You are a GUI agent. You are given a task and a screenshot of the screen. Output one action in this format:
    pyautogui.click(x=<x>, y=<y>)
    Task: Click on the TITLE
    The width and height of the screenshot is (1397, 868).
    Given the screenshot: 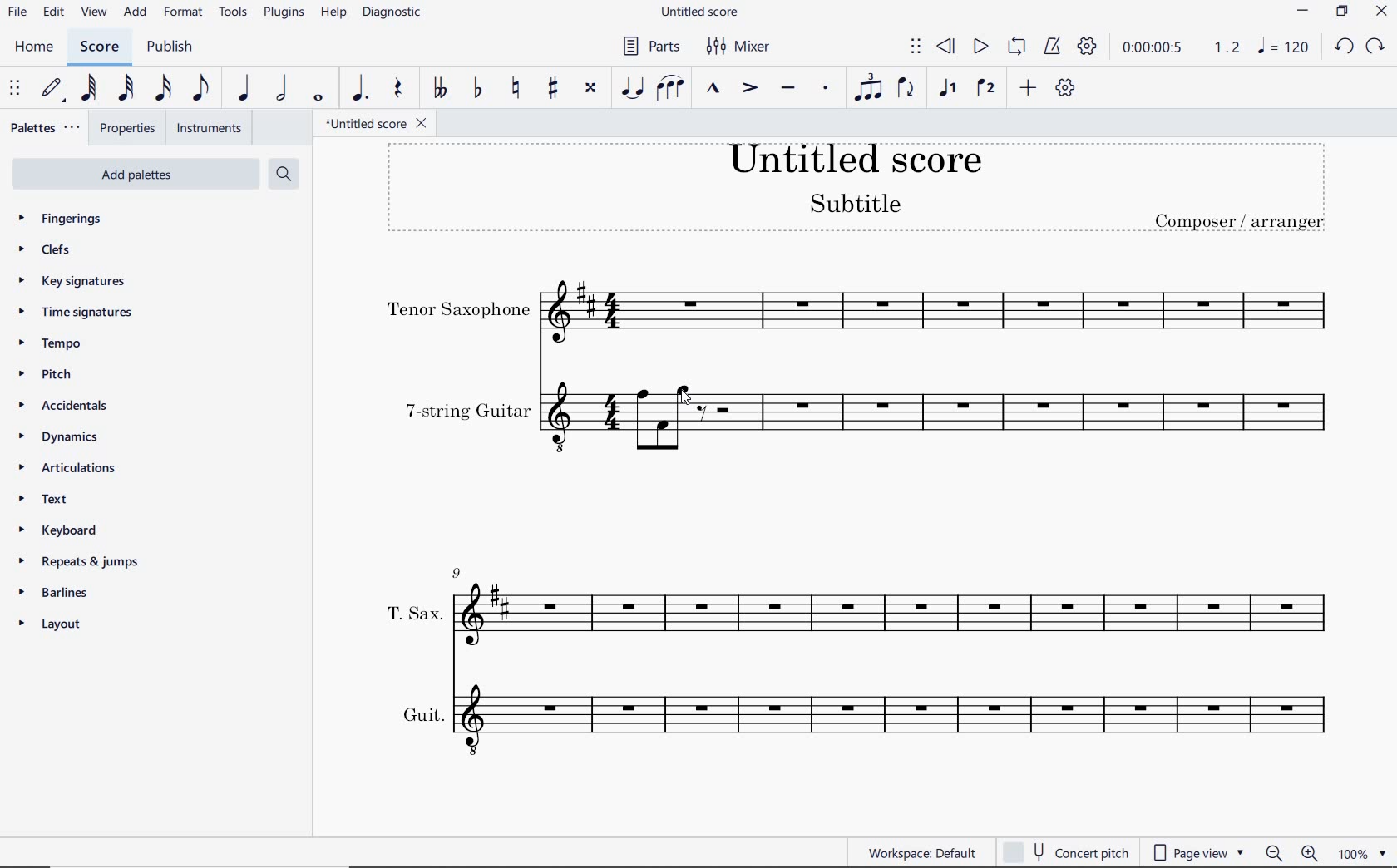 What is the action you would take?
    pyautogui.click(x=856, y=189)
    